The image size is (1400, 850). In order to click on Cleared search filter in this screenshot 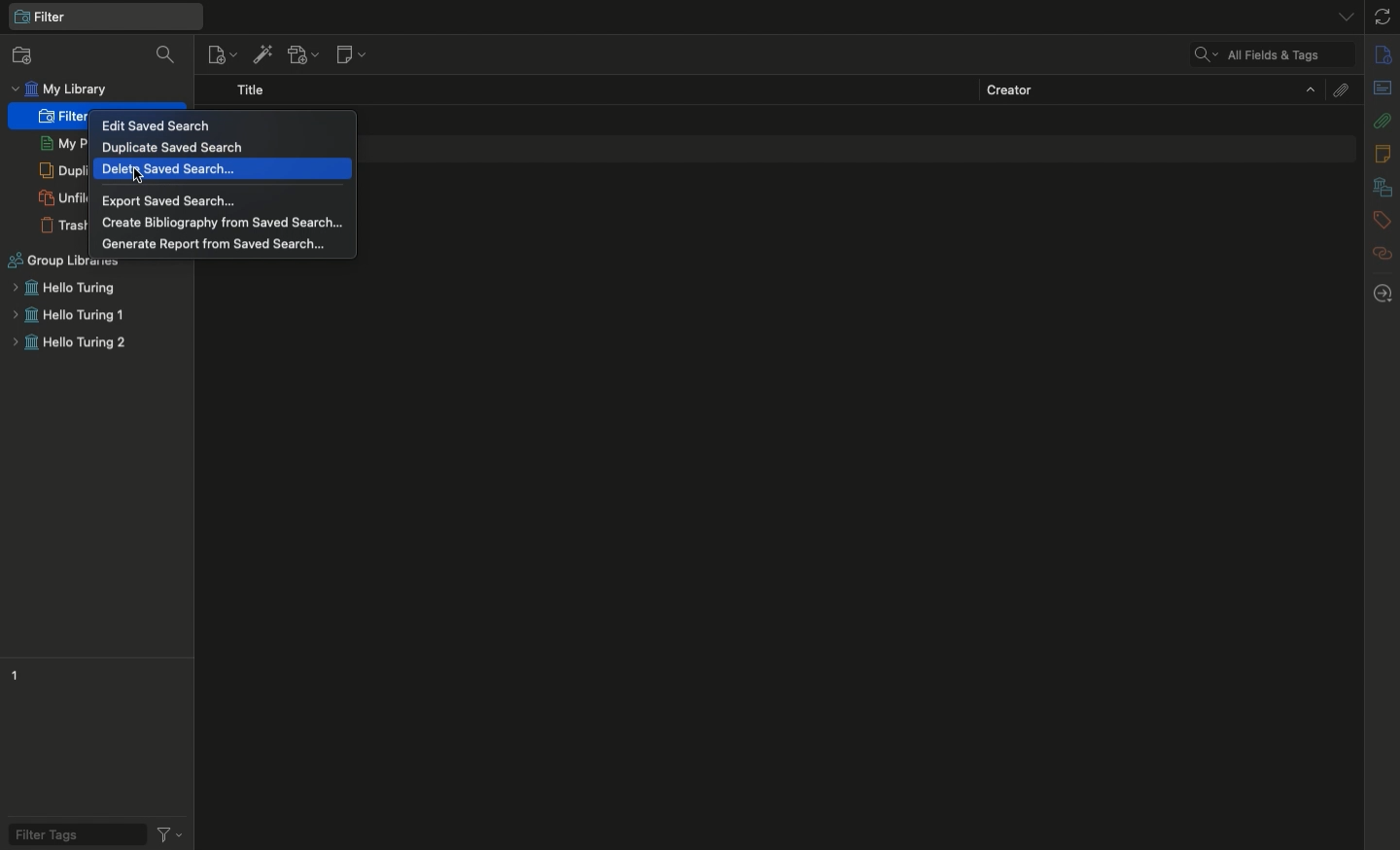, I will do `click(1271, 55)`.